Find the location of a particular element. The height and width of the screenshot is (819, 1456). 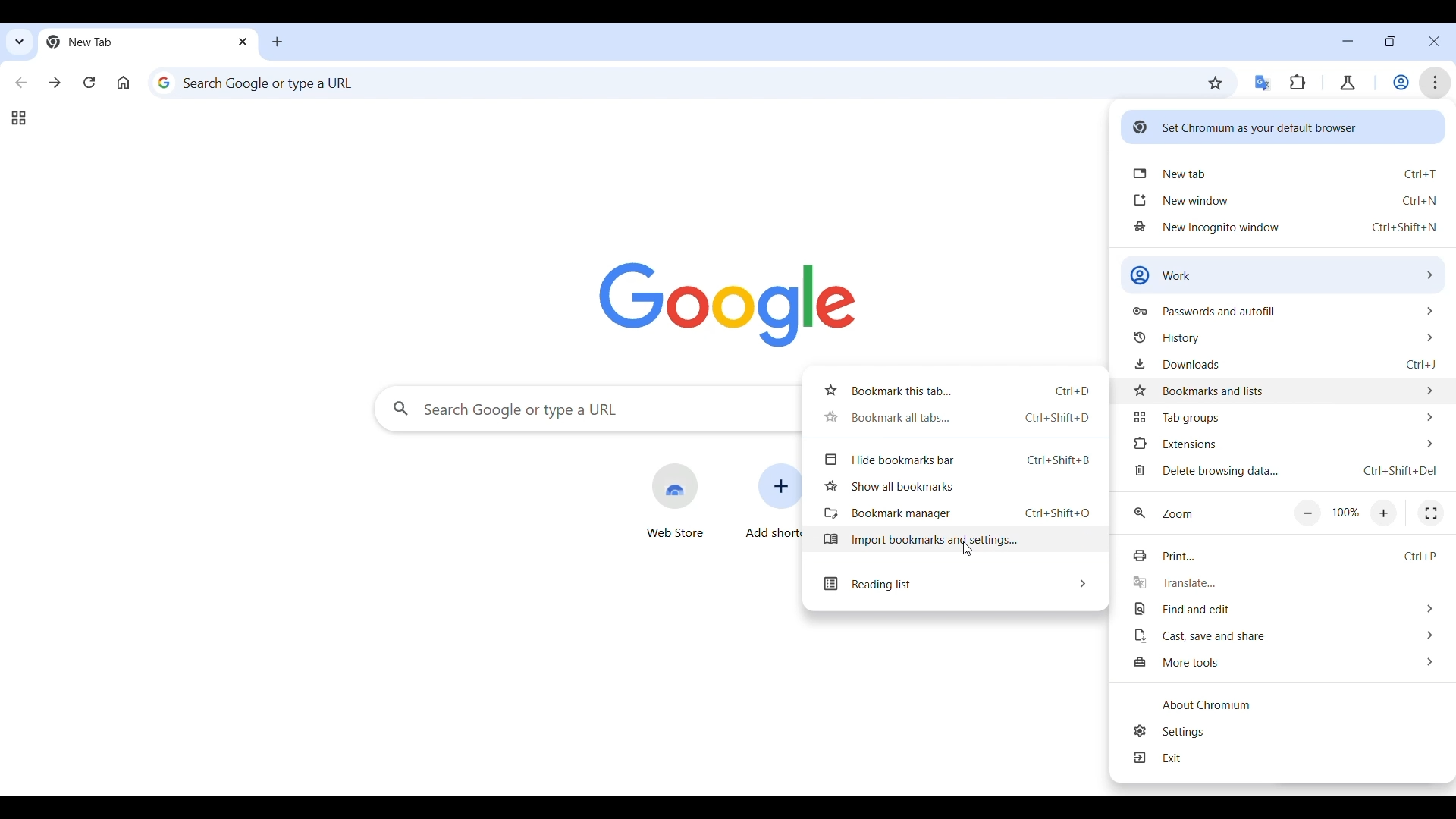

Cast, save and share is located at coordinates (1285, 635).